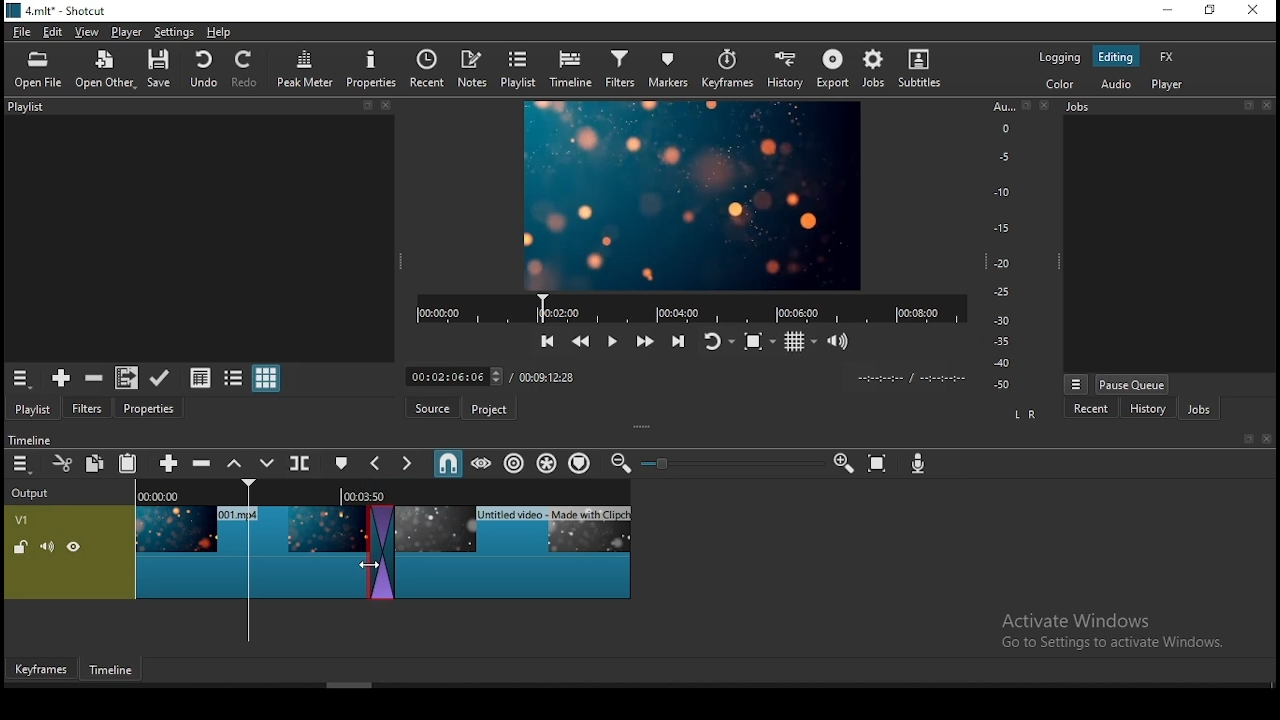 Image resolution: width=1280 pixels, height=720 pixels. Describe the element at coordinates (758, 342) in the screenshot. I see `toggle zoom` at that location.